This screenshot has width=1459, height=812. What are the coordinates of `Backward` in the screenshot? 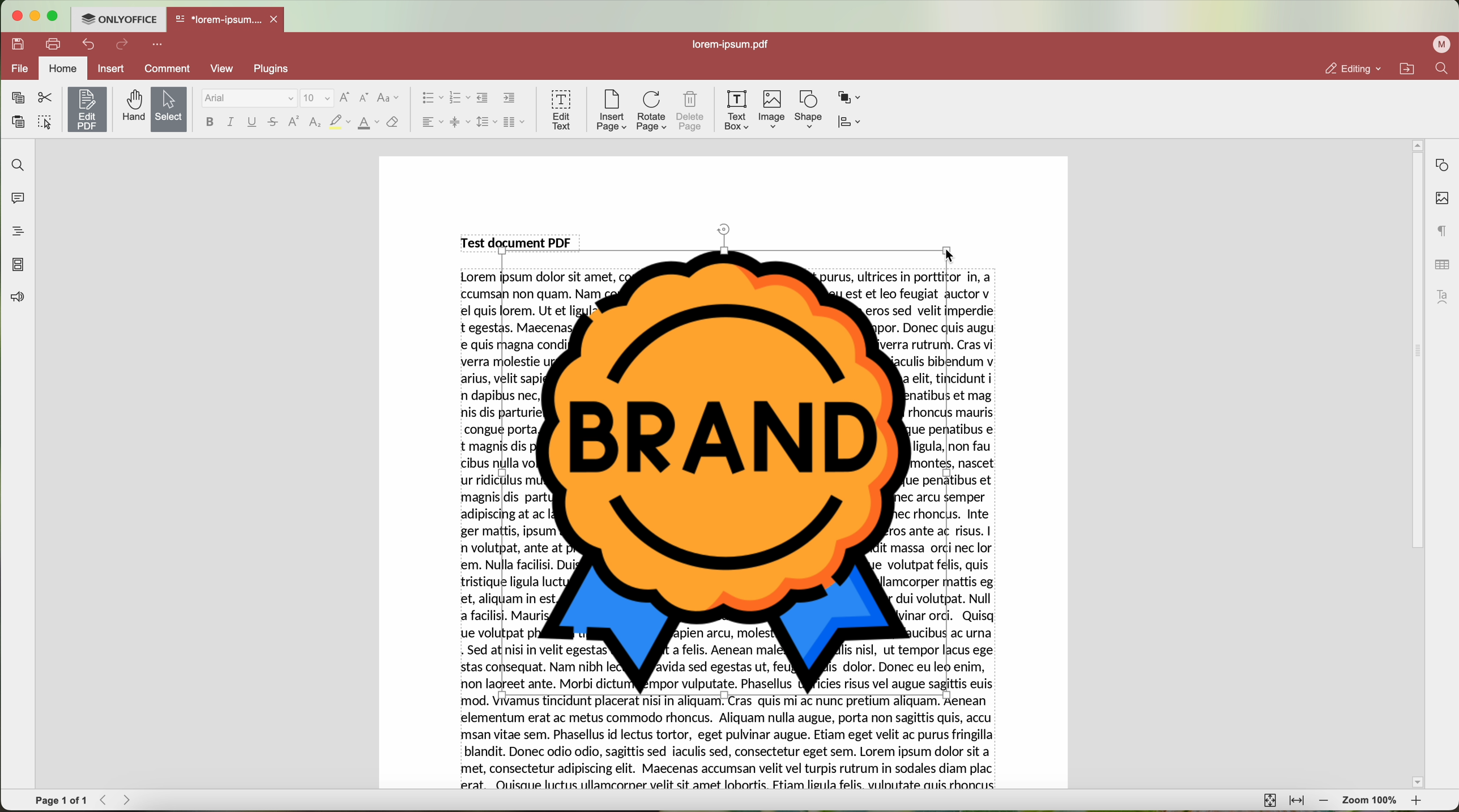 It's located at (107, 800).